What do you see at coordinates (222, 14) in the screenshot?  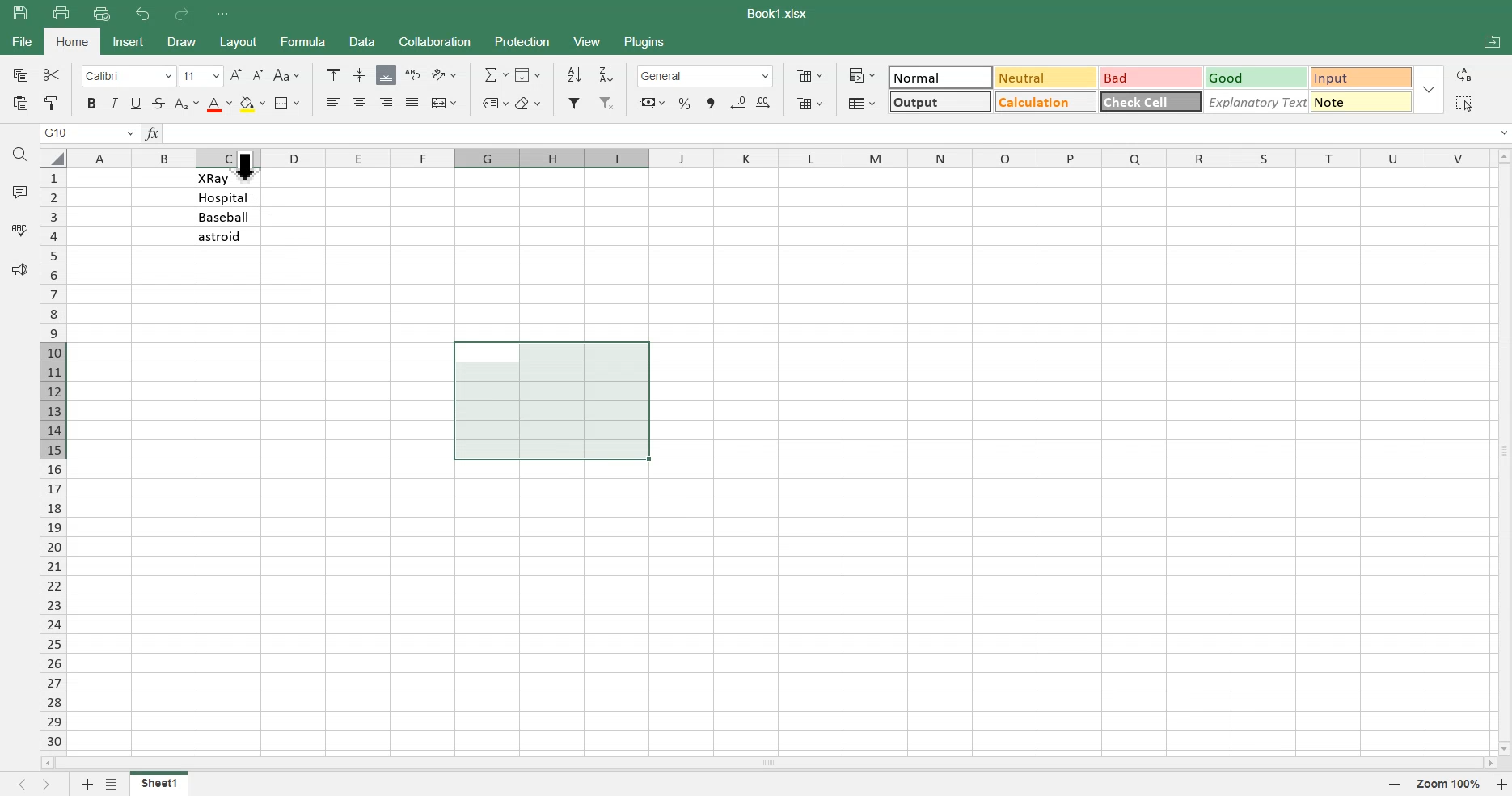 I see `Customize Toolbar` at bounding box center [222, 14].